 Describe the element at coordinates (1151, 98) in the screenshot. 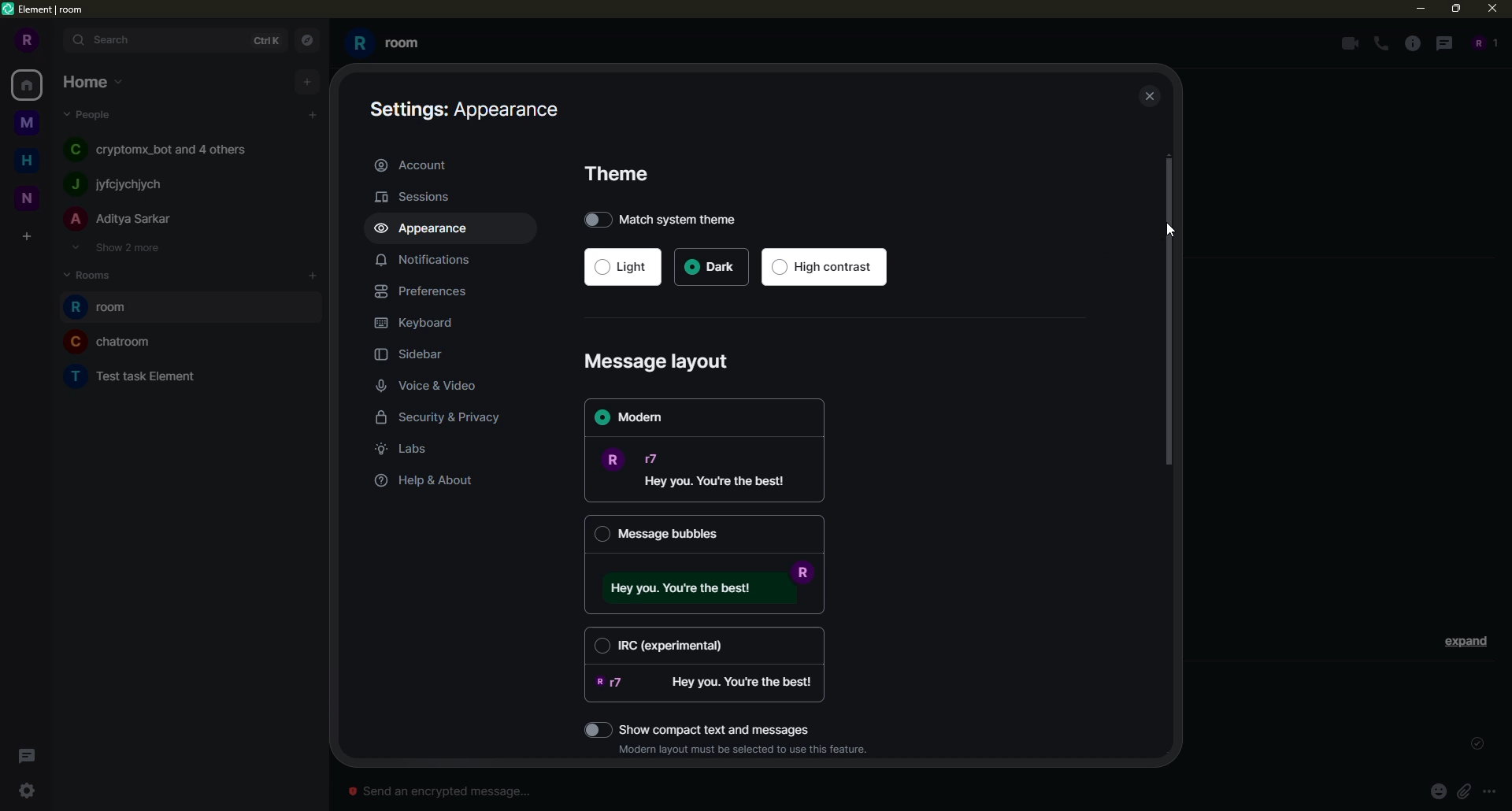

I see `close` at that location.